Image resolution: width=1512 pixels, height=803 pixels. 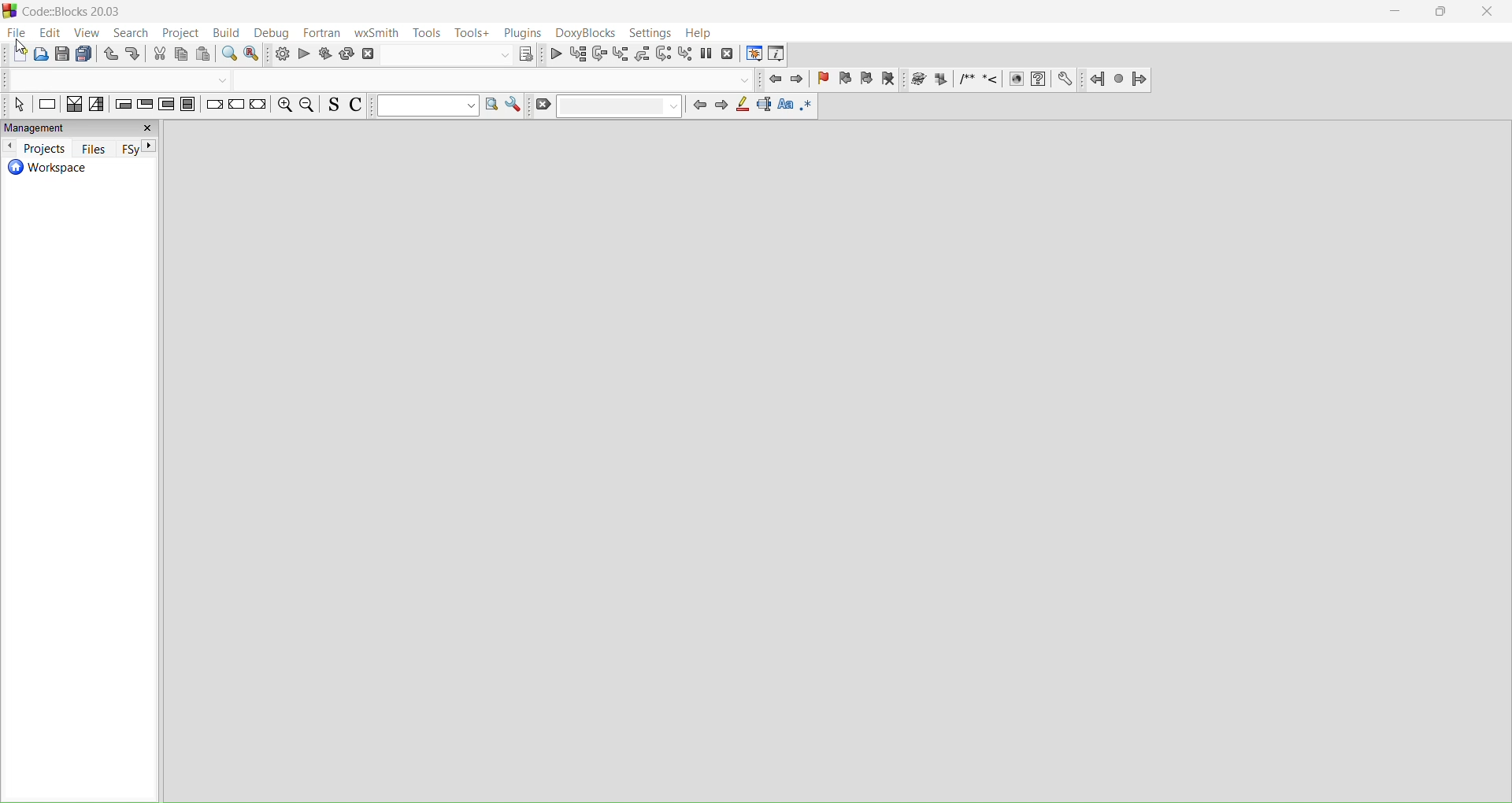 I want to click on next line, so click(x=598, y=53).